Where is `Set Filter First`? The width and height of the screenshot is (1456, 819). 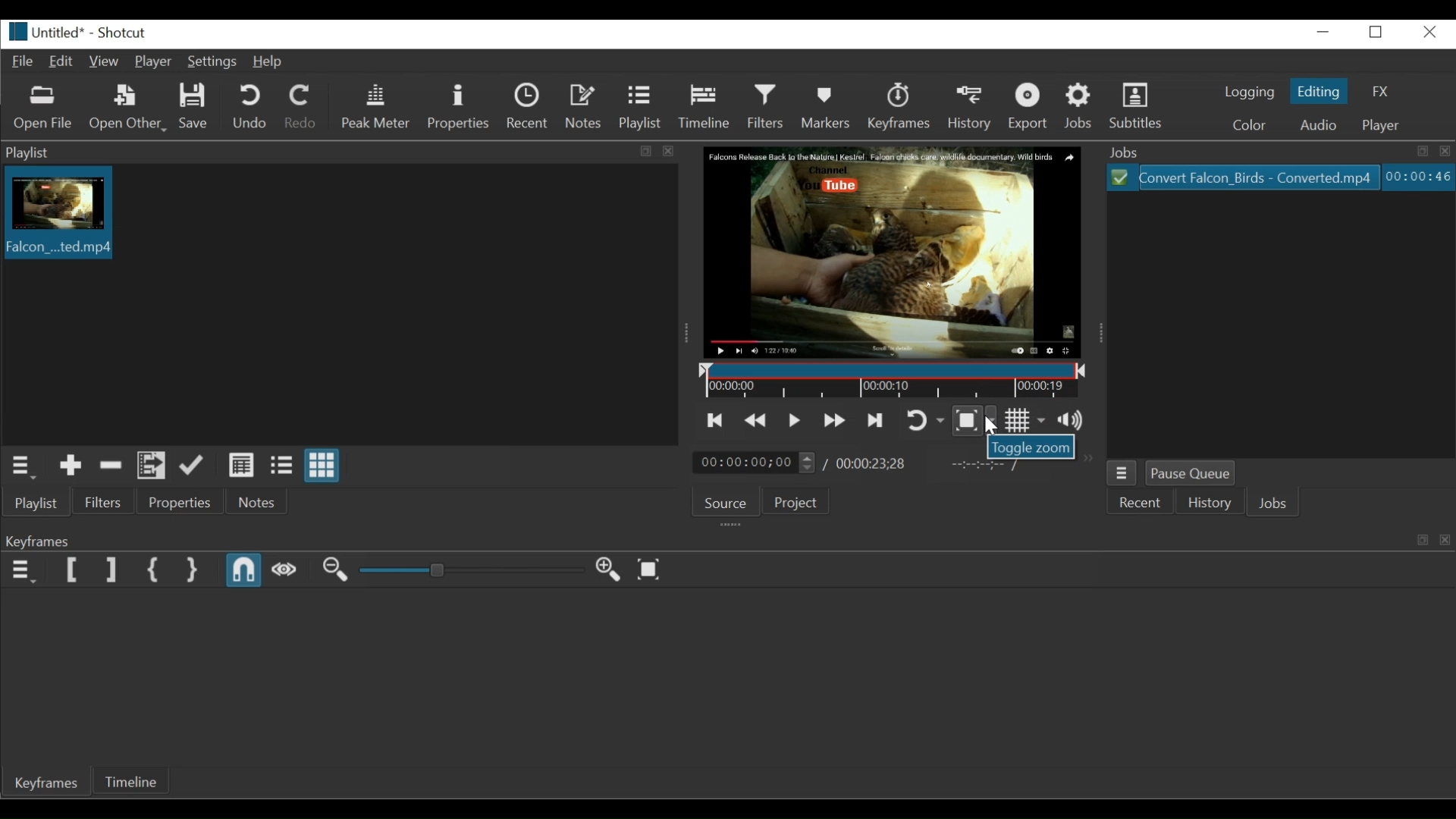
Set Filter First is located at coordinates (71, 570).